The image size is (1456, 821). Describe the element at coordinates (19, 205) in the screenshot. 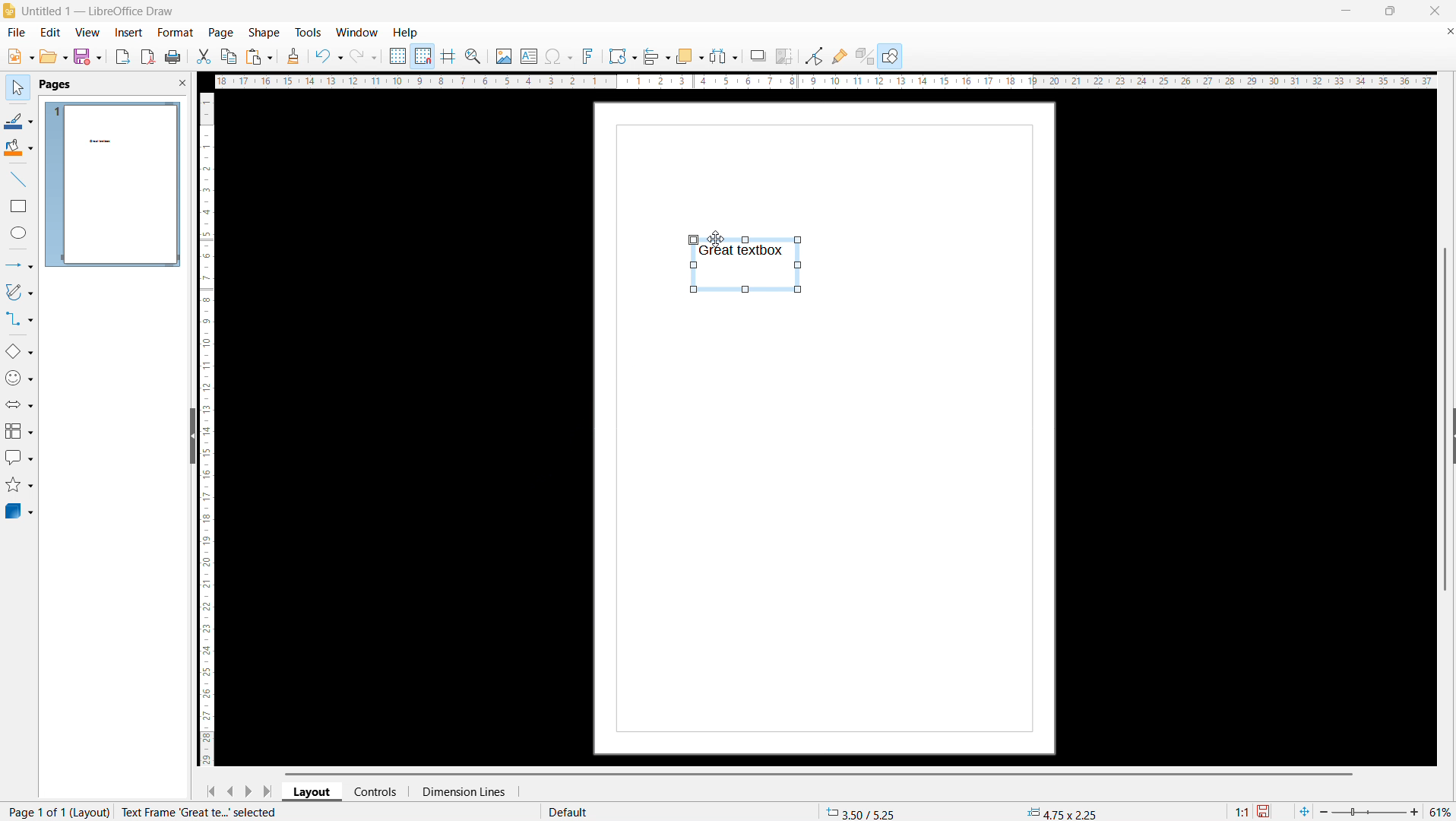

I see `rectangle` at that location.